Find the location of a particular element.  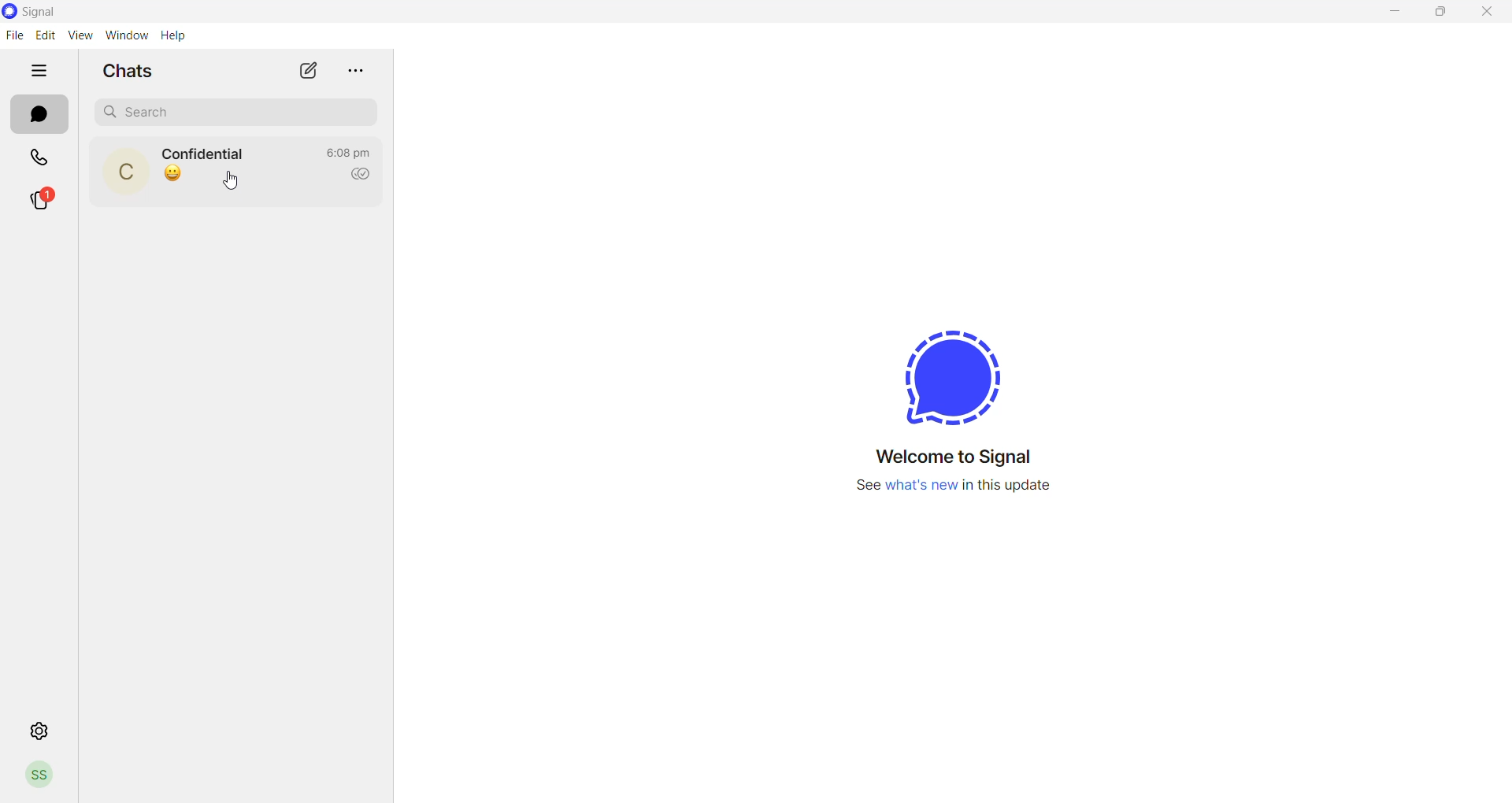

window is located at coordinates (125, 35).